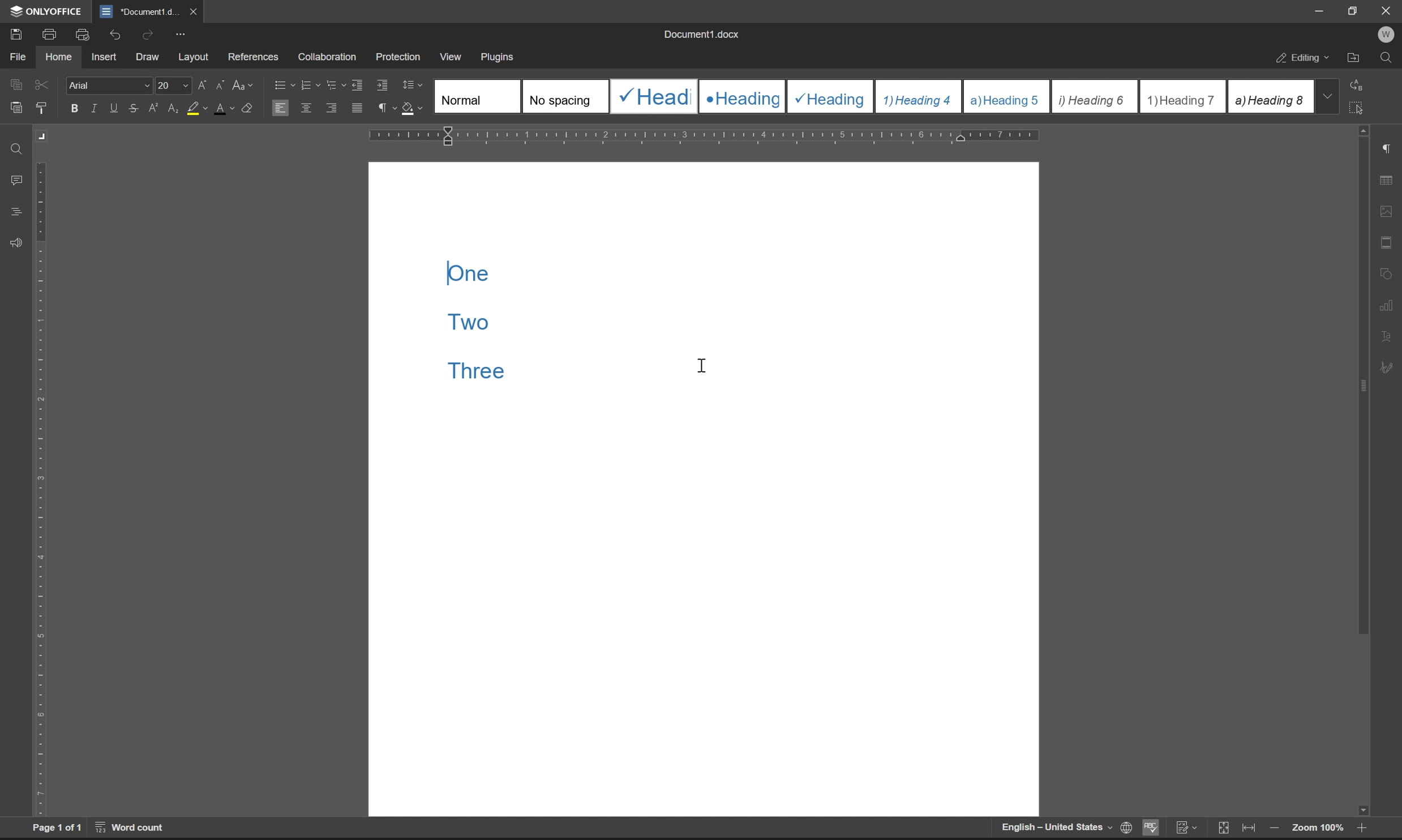 The height and width of the screenshot is (840, 1402). Describe the element at coordinates (1387, 11) in the screenshot. I see `Close` at that location.